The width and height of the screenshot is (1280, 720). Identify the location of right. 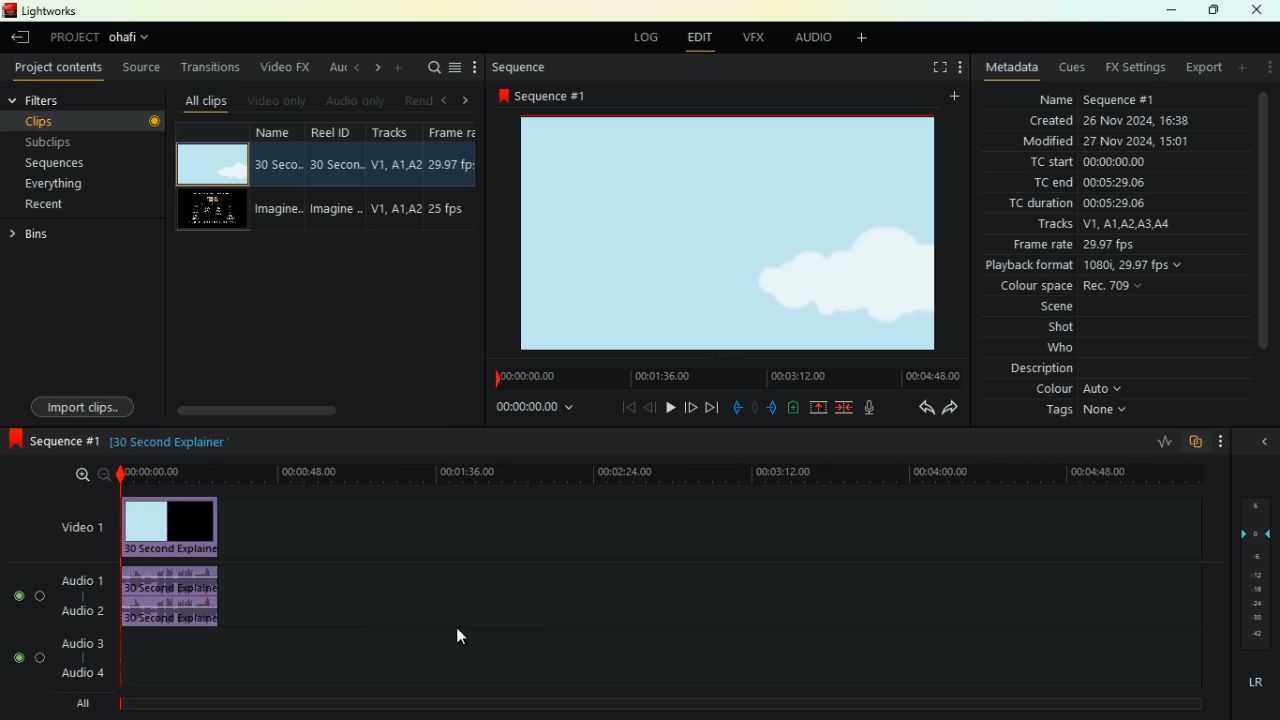
(468, 100).